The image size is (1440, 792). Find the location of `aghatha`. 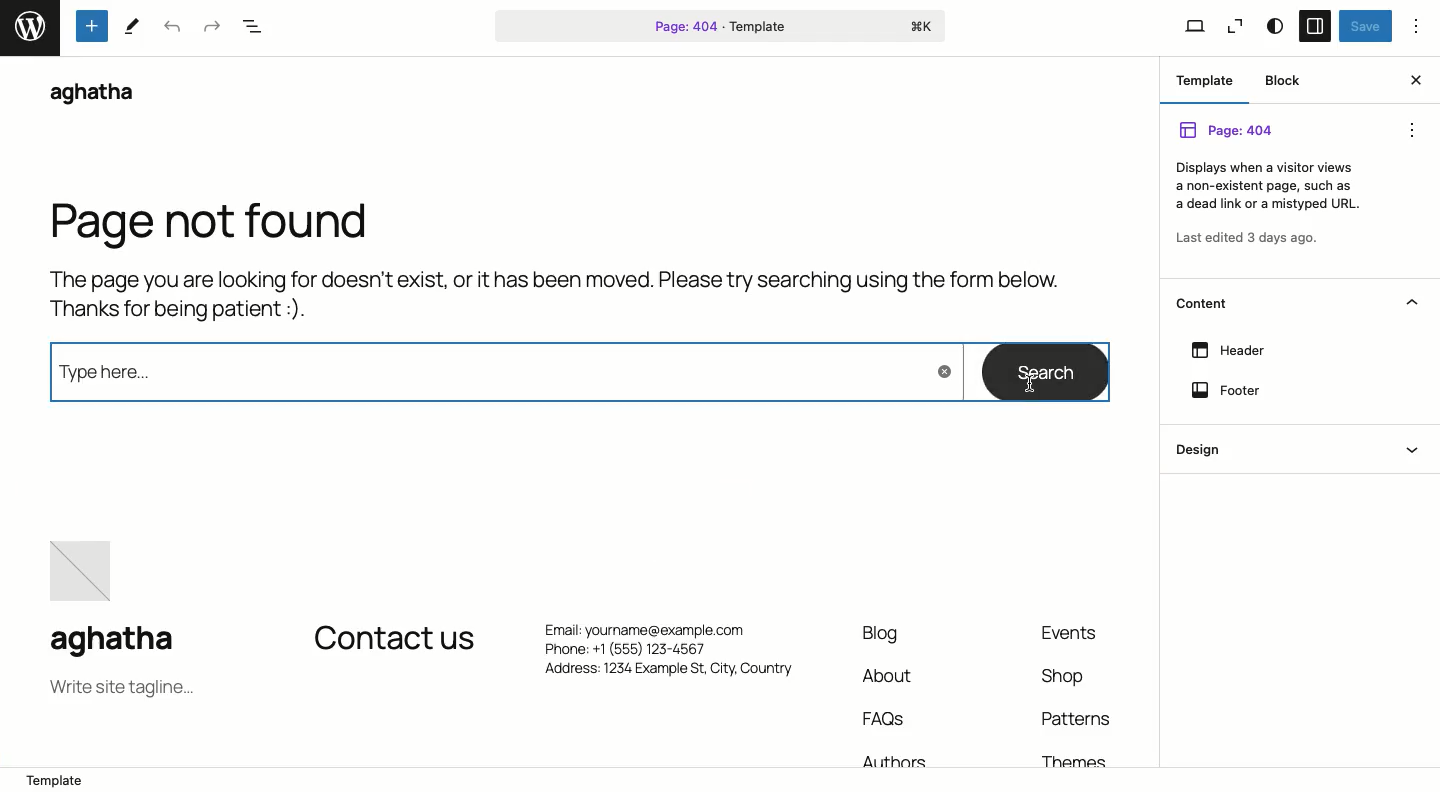

aghatha is located at coordinates (129, 643).